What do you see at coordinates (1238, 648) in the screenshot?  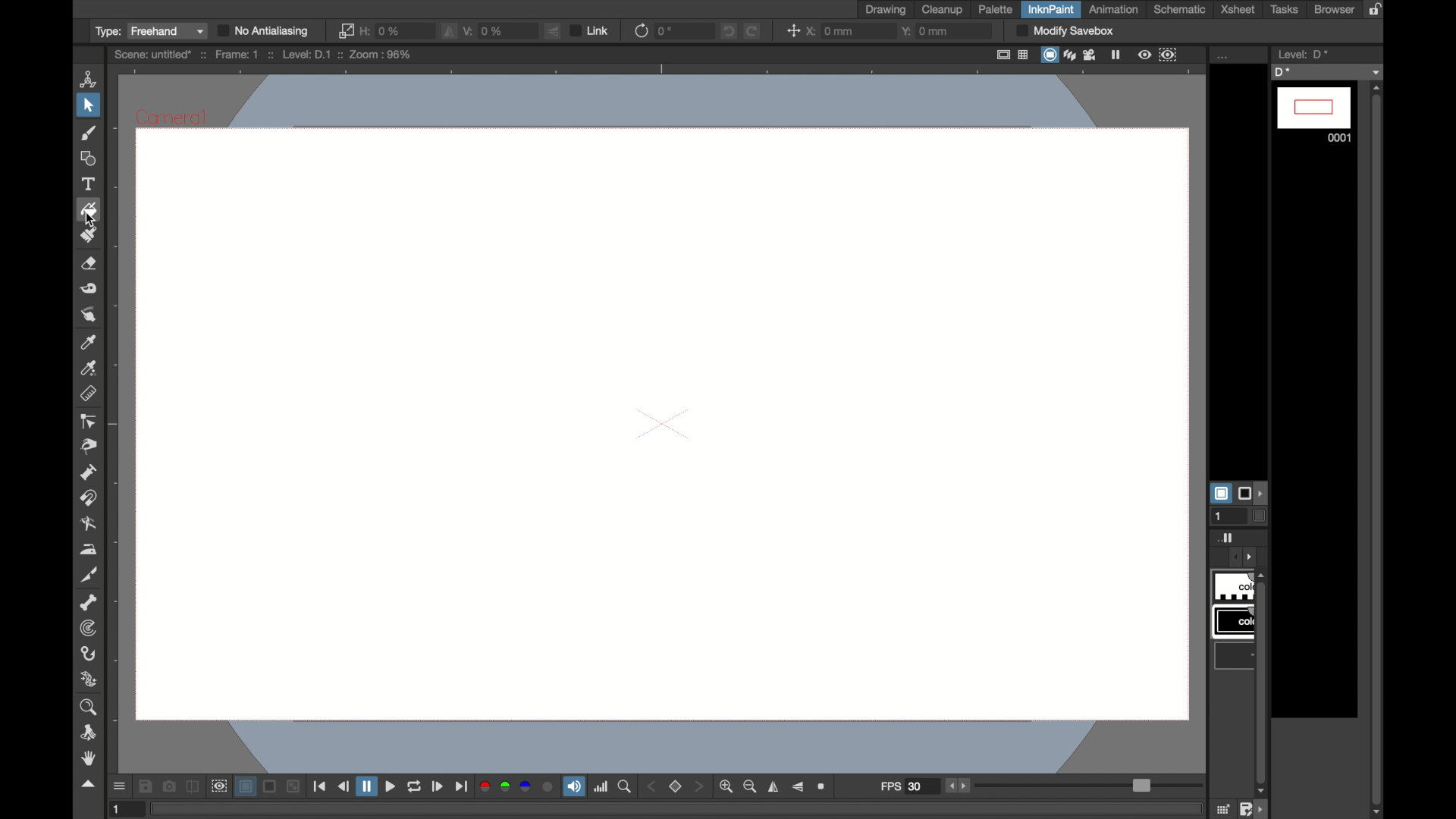 I see `obscure tab` at bounding box center [1238, 648].